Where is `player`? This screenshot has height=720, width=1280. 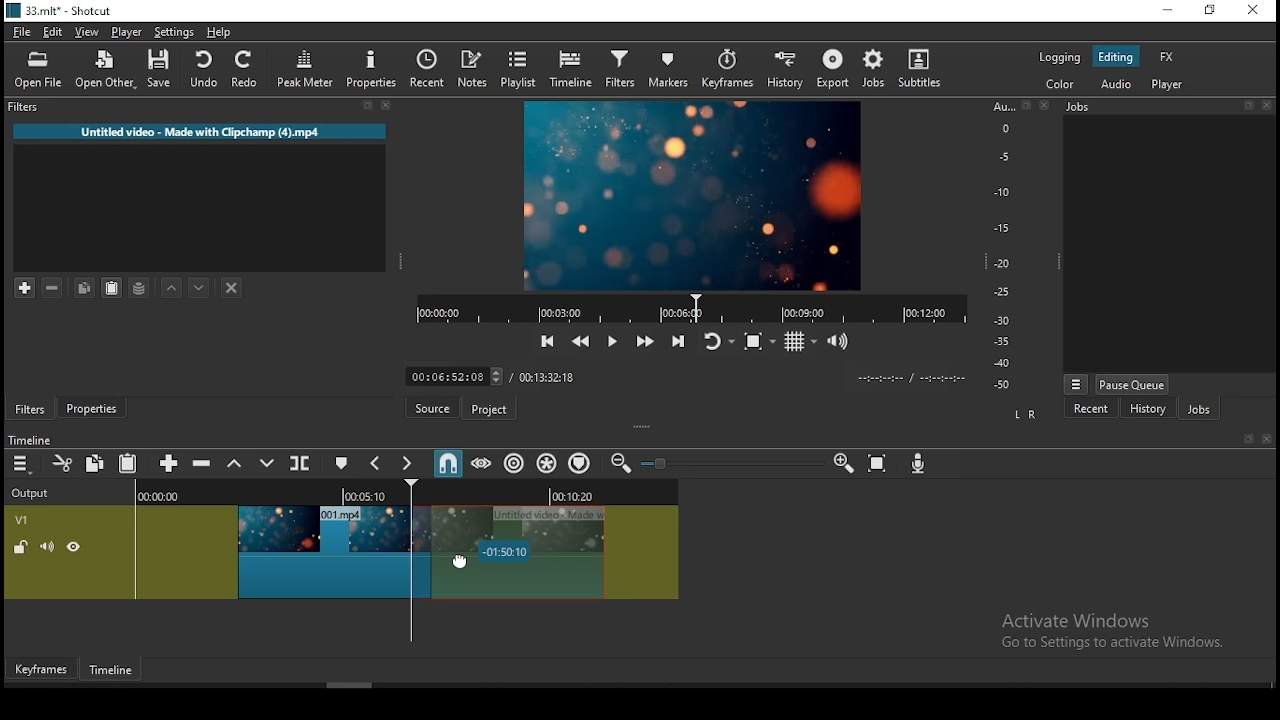 player is located at coordinates (127, 31).